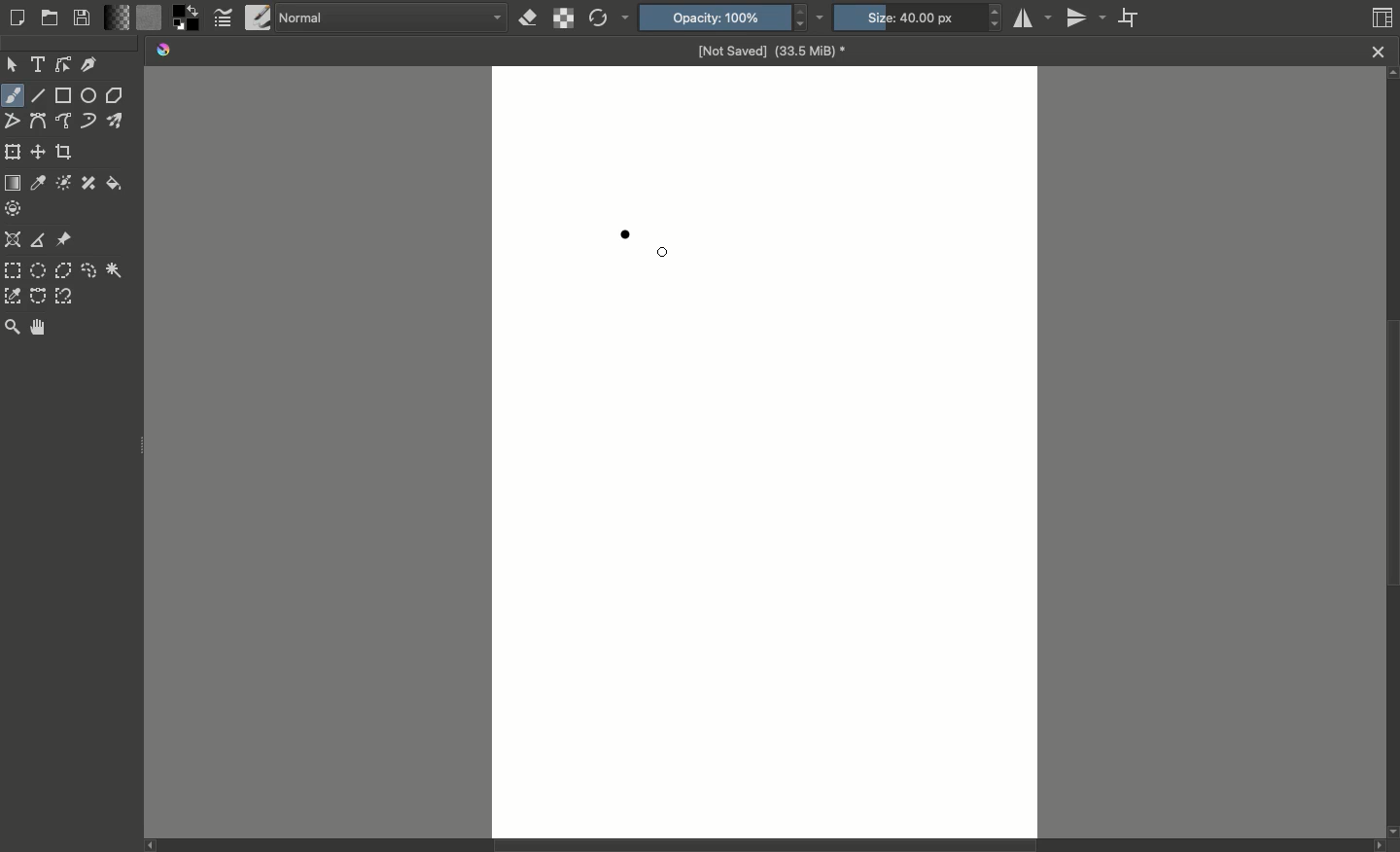 The height and width of the screenshot is (852, 1400). What do you see at coordinates (39, 269) in the screenshot?
I see `Elliptical  selection tool` at bounding box center [39, 269].